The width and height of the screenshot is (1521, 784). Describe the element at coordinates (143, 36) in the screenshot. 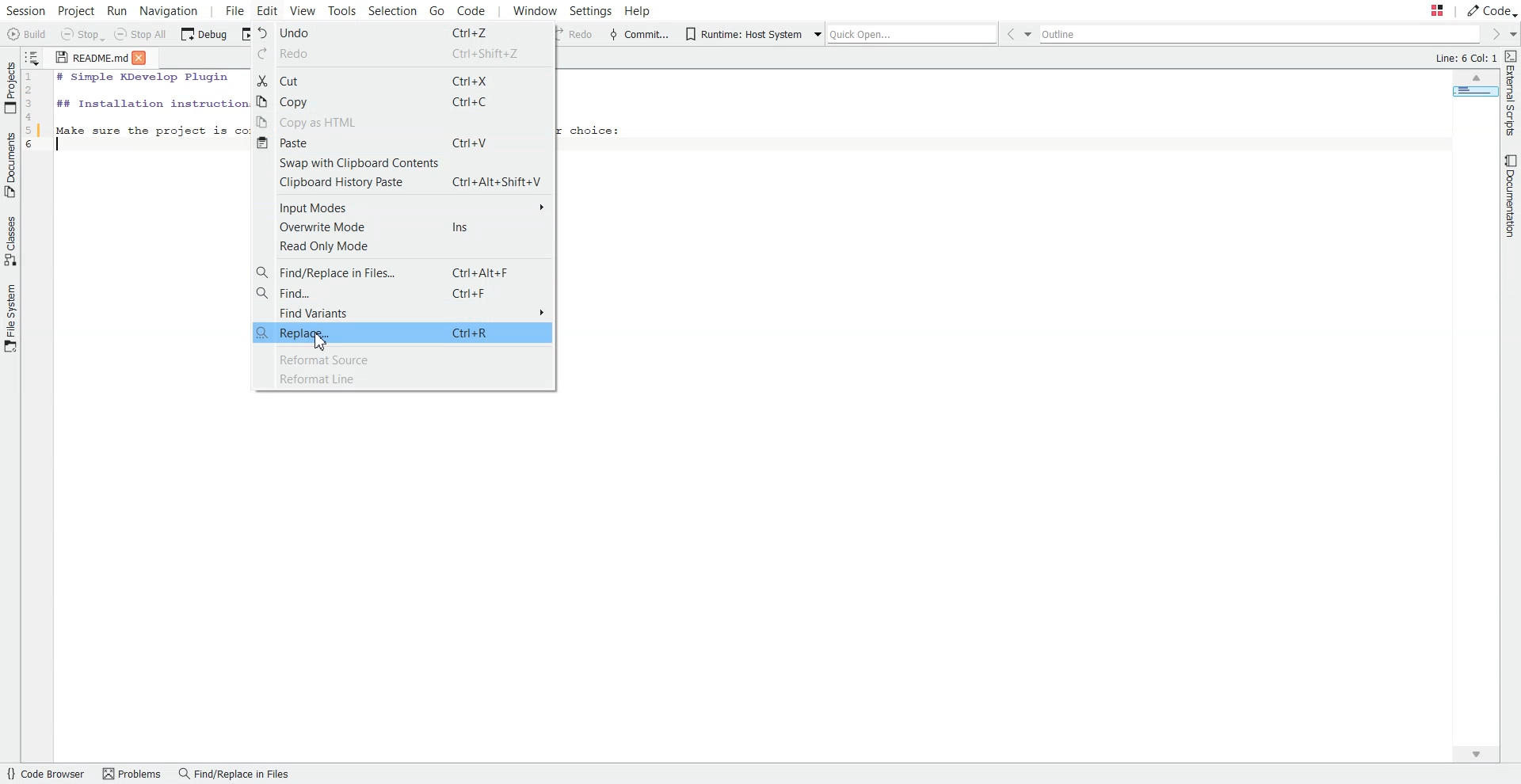

I see `Stop All` at that location.